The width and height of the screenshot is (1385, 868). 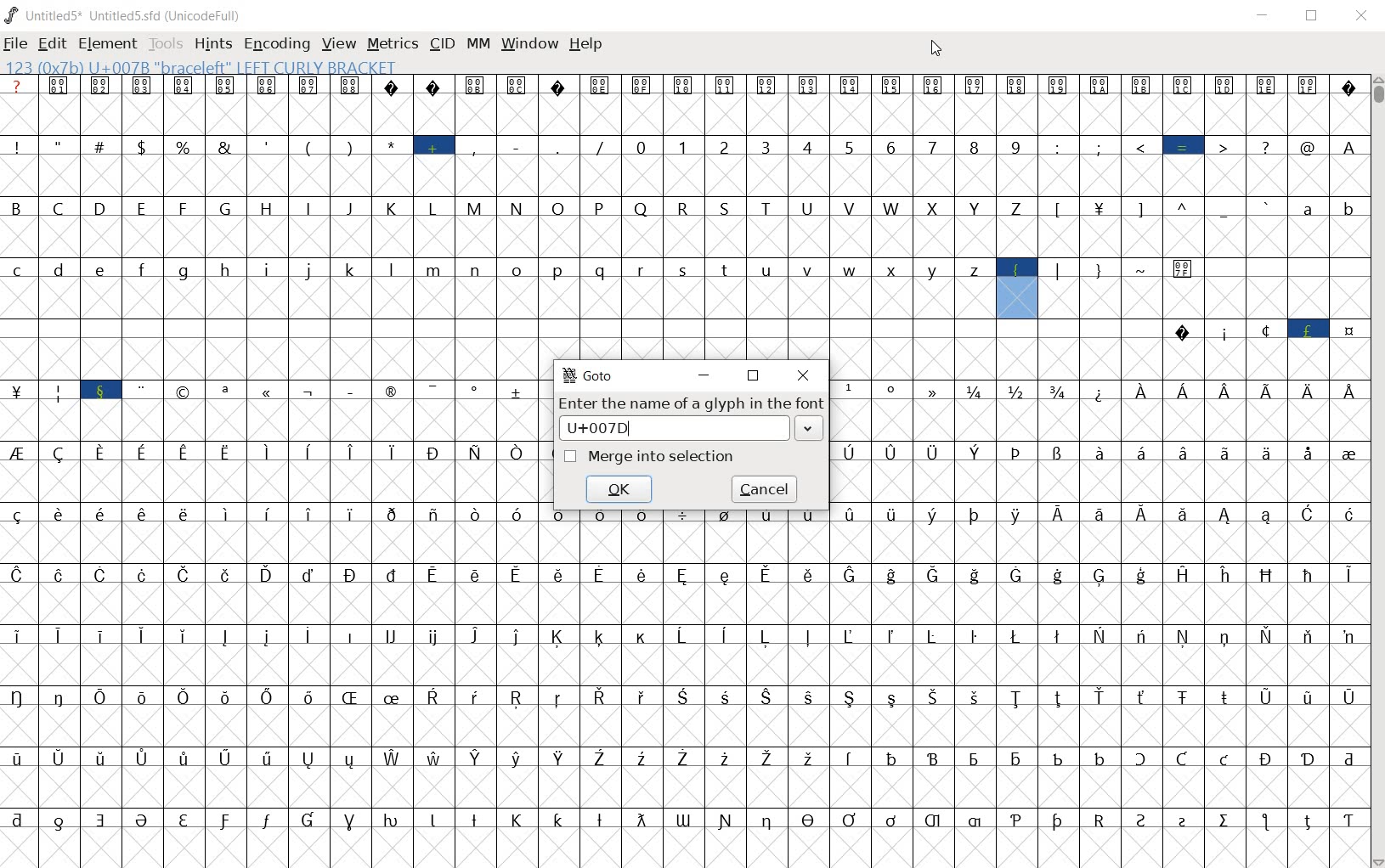 What do you see at coordinates (693, 419) in the screenshot?
I see `Enter the name of a glyph in the font` at bounding box center [693, 419].